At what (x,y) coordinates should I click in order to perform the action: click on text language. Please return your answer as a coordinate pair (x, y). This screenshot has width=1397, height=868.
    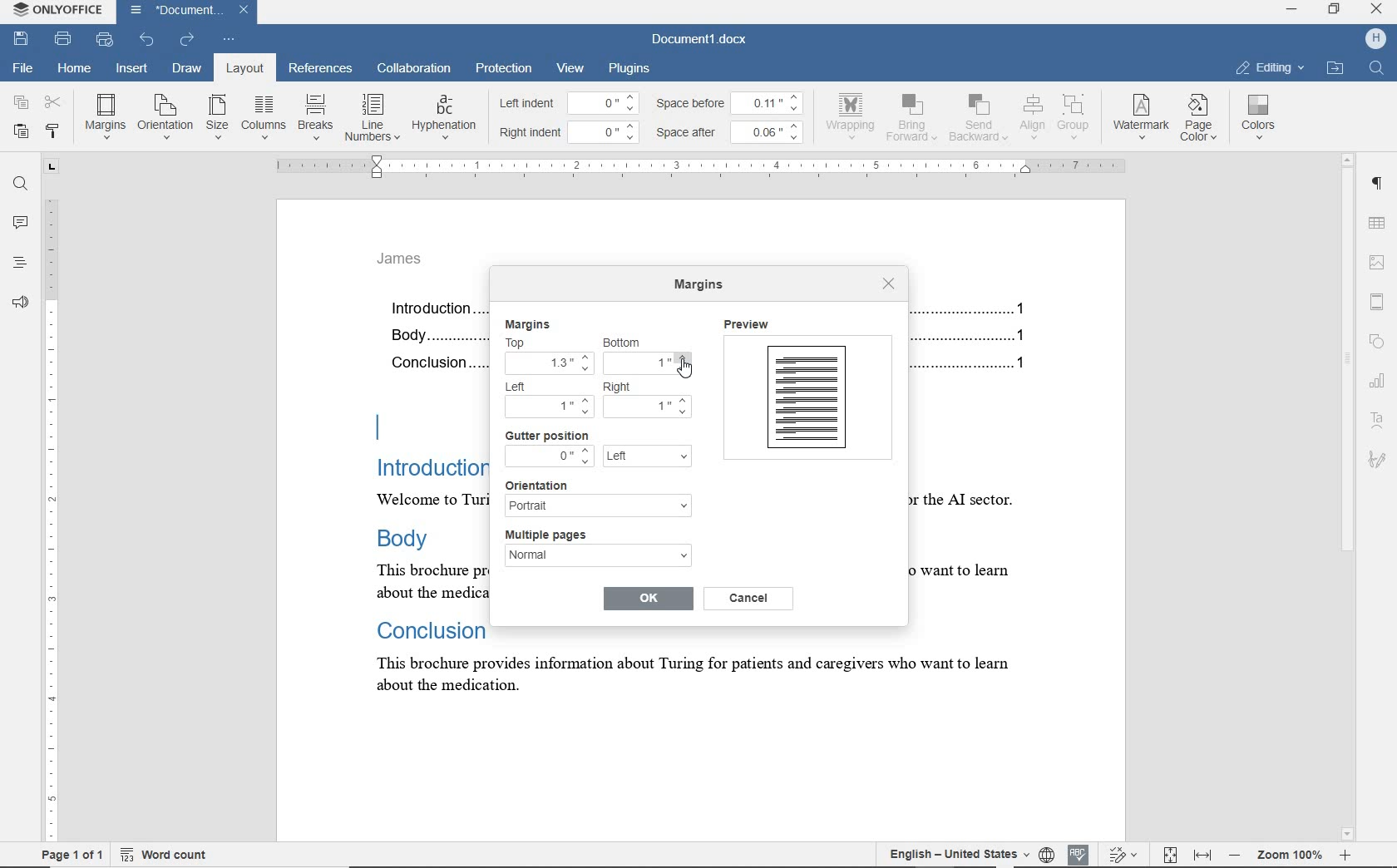
    Looking at the image, I should click on (954, 853).